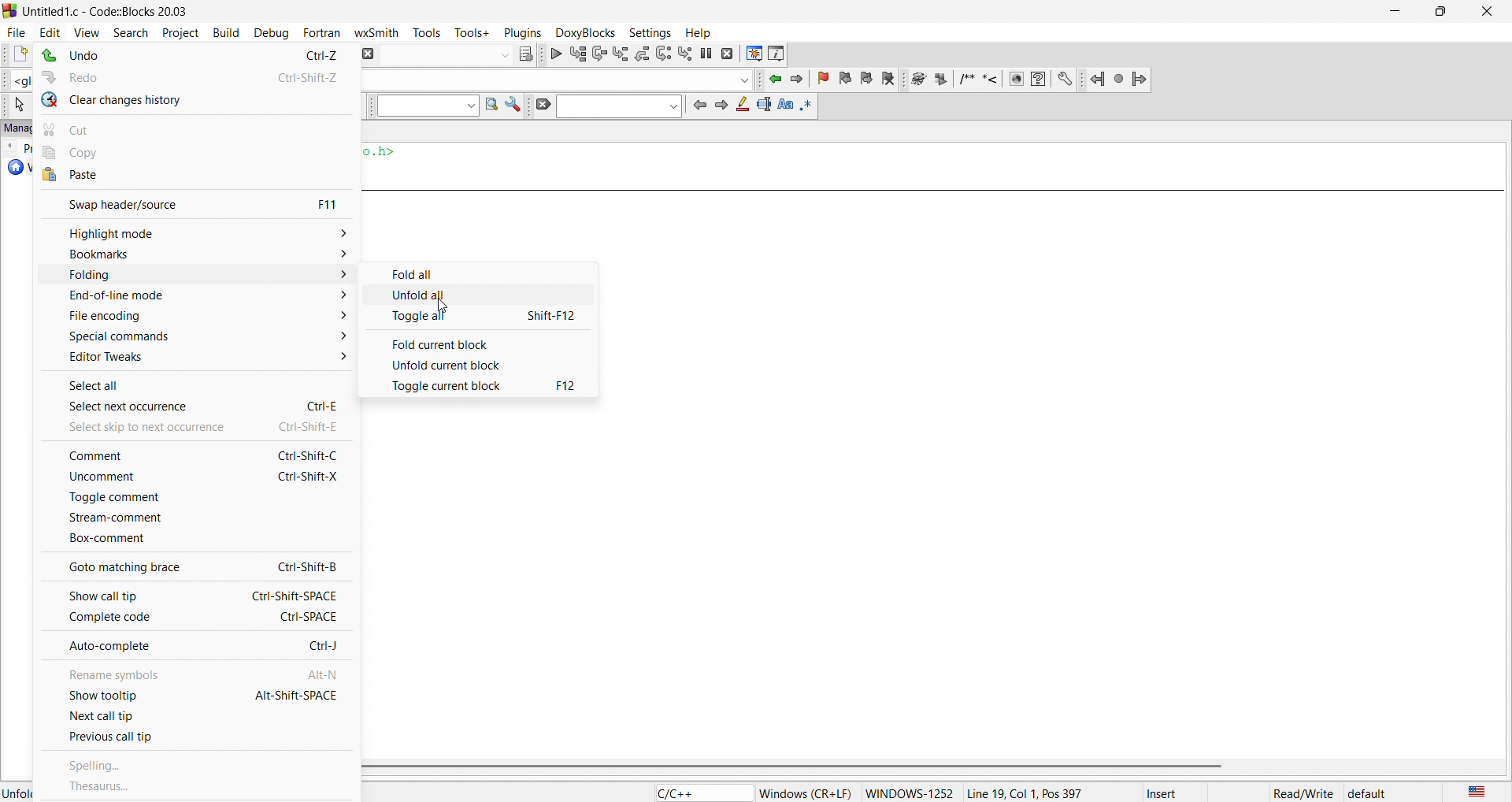 This screenshot has width=1512, height=802. Describe the element at coordinates (191, 336) in the screenshot. I see `special commands` at that location.